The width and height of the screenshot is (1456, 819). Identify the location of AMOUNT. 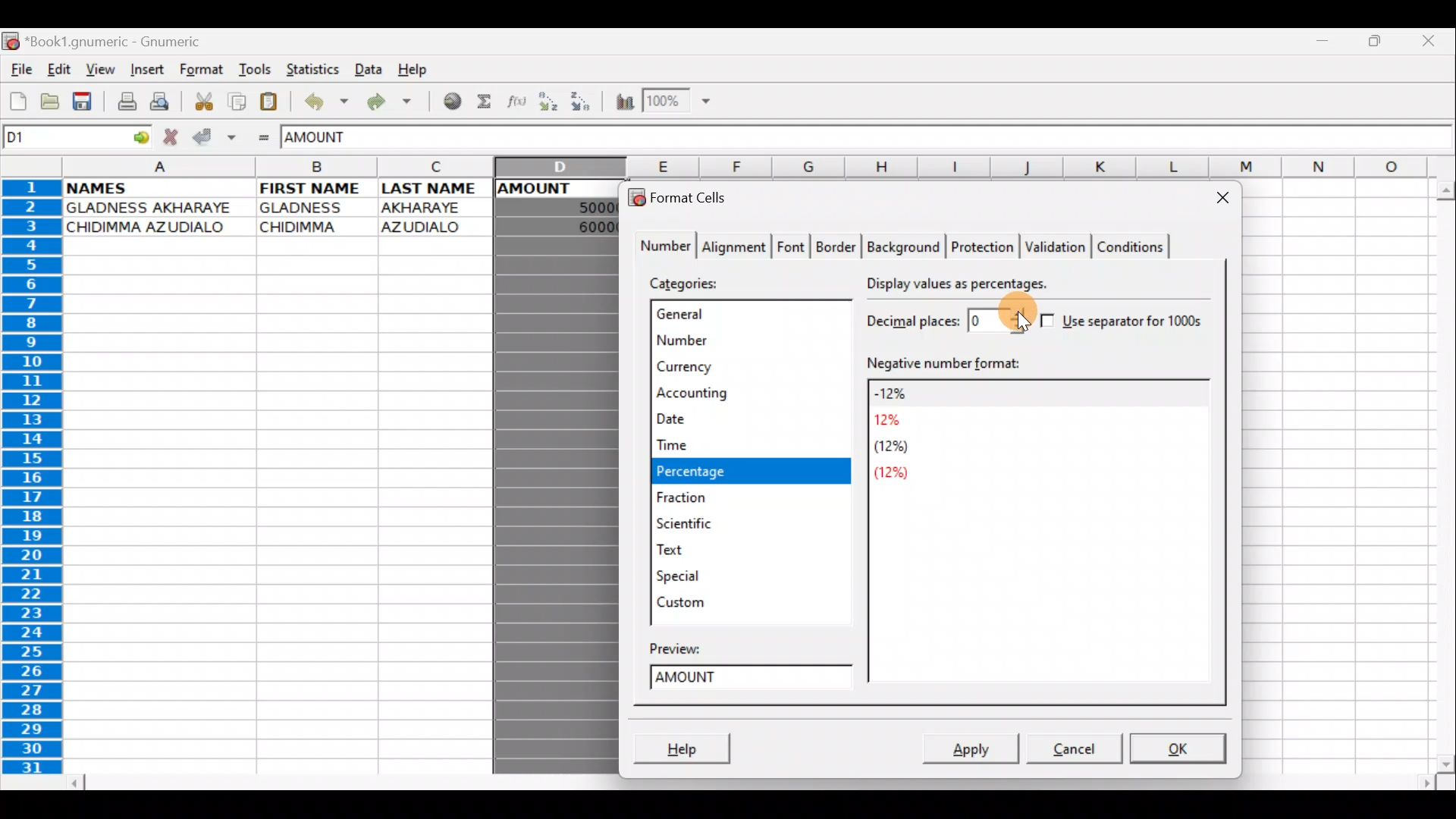
(332, 139).